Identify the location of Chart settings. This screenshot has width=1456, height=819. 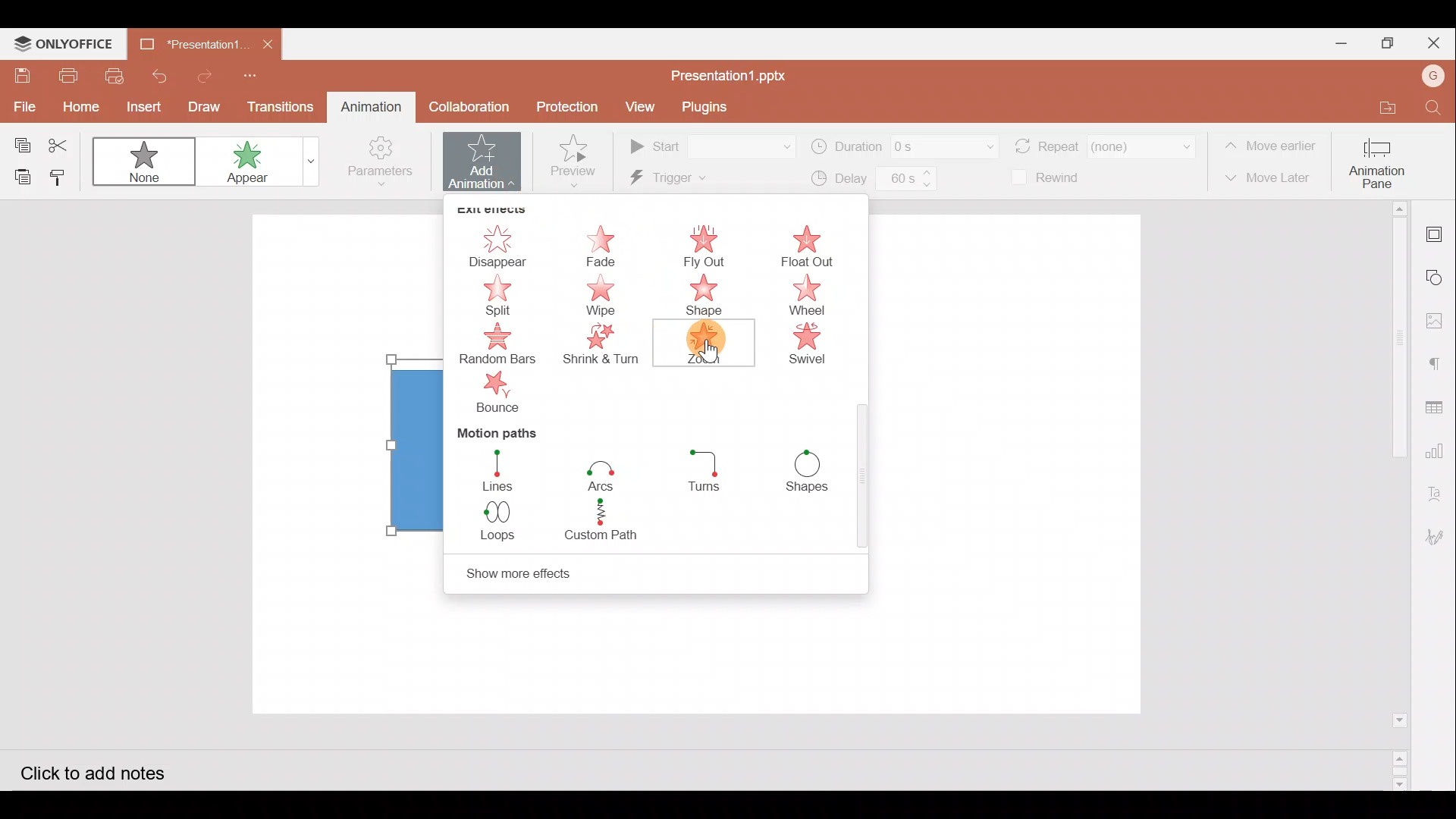
(1438, 450).